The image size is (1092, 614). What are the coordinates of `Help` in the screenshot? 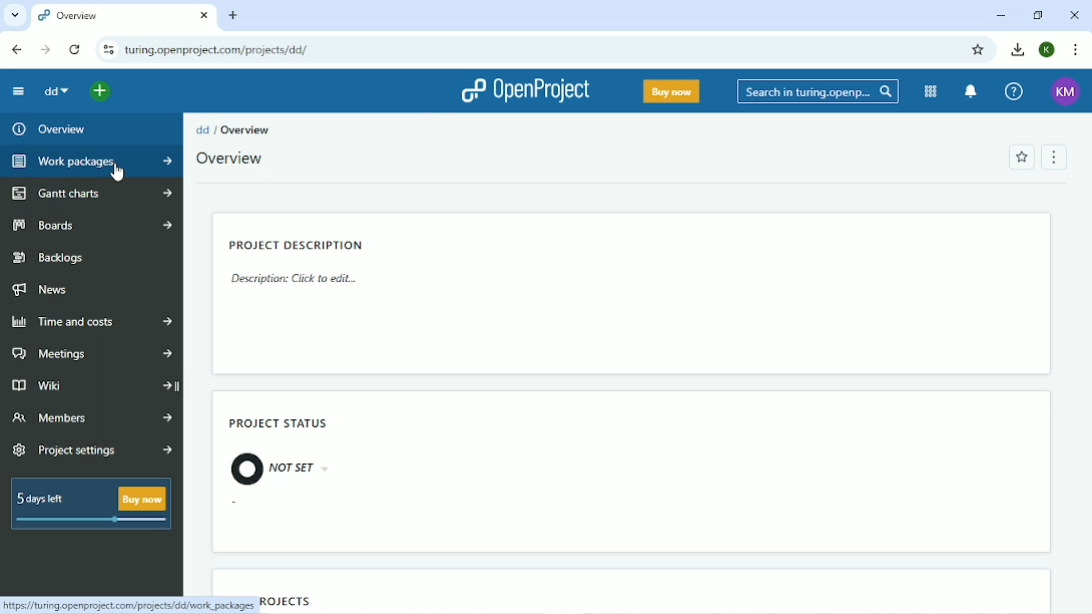 It's located at (1015, 91).